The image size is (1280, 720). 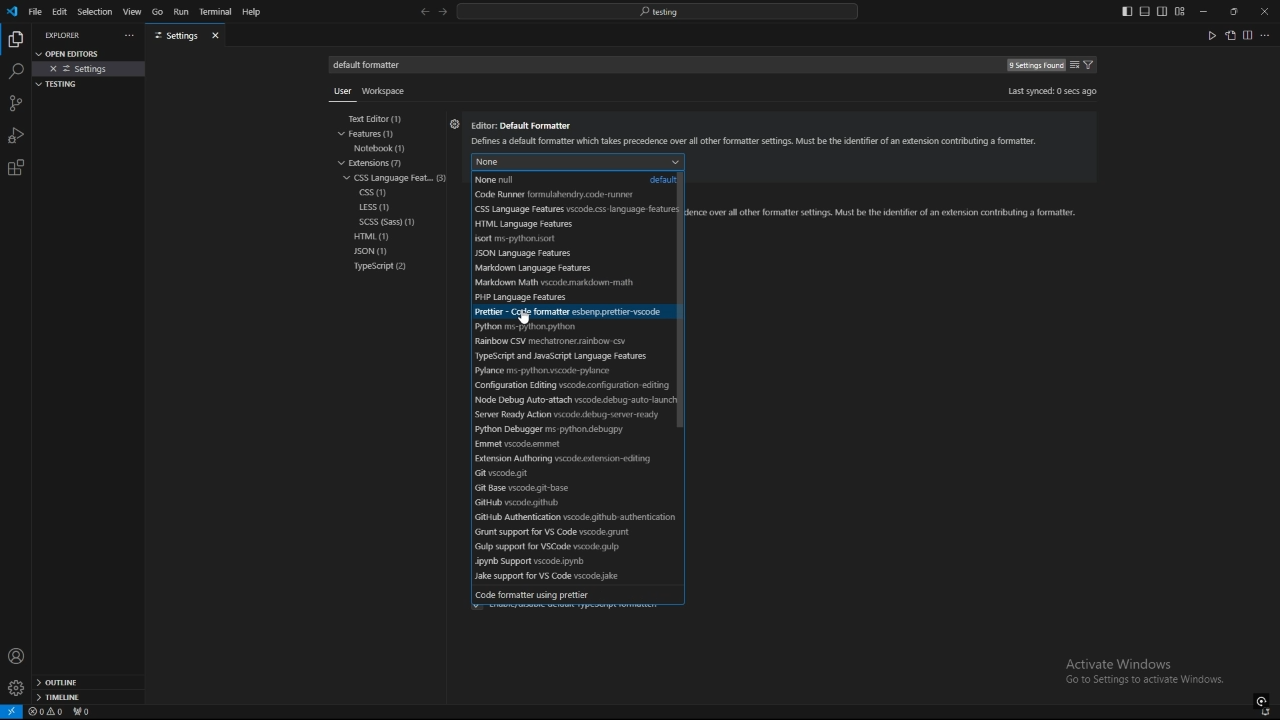 I want to click on github, so click(x=560, y=501).